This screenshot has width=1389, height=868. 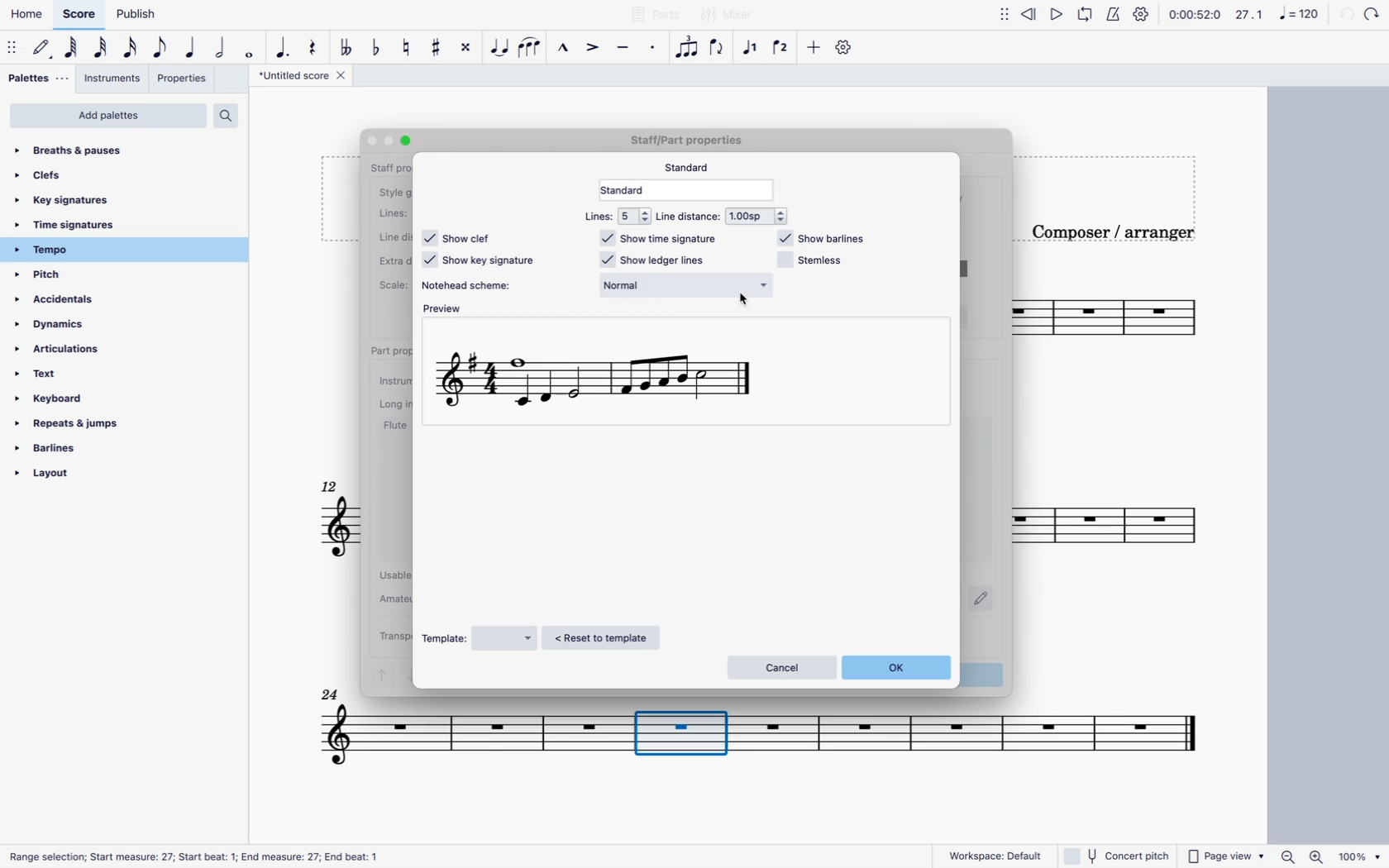 What do you see at coordinates (464, 47) in the screenshot?
I see `toggle double sharp` at bounding box center [464, 47].